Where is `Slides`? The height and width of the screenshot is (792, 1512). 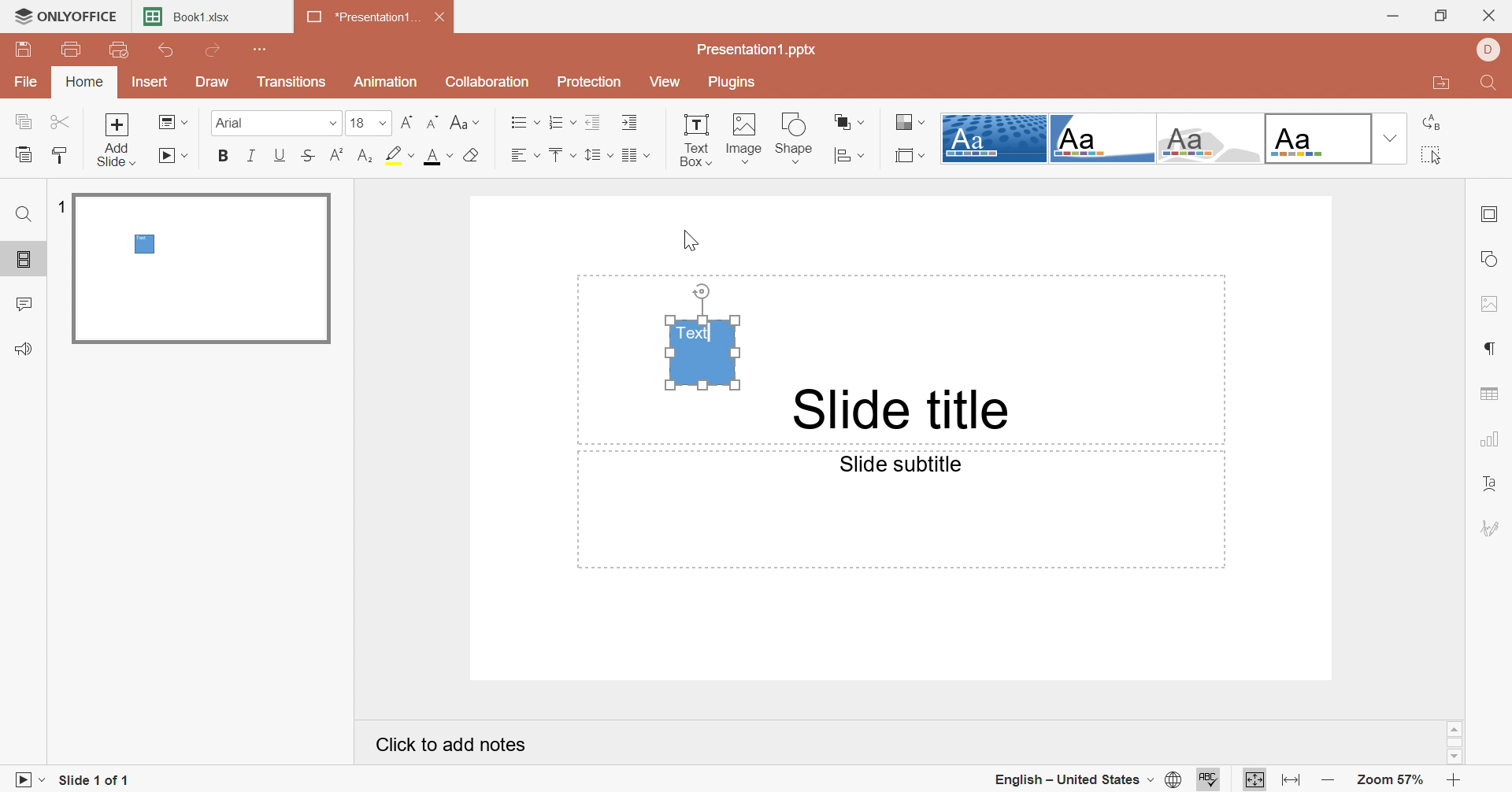 Slides is located at coordinates (26, 261).